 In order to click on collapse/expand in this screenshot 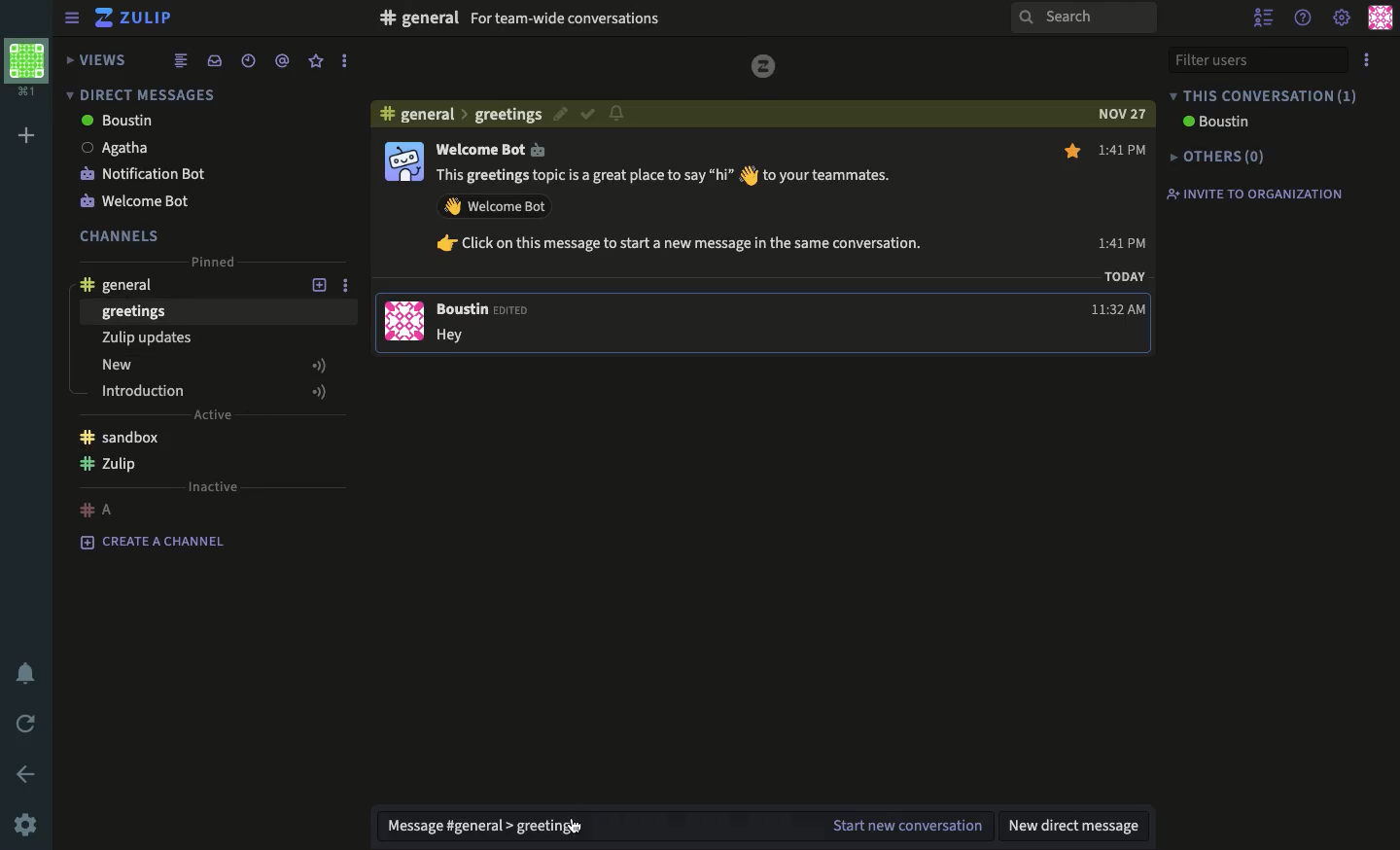, I will do `click(72, 19)`.